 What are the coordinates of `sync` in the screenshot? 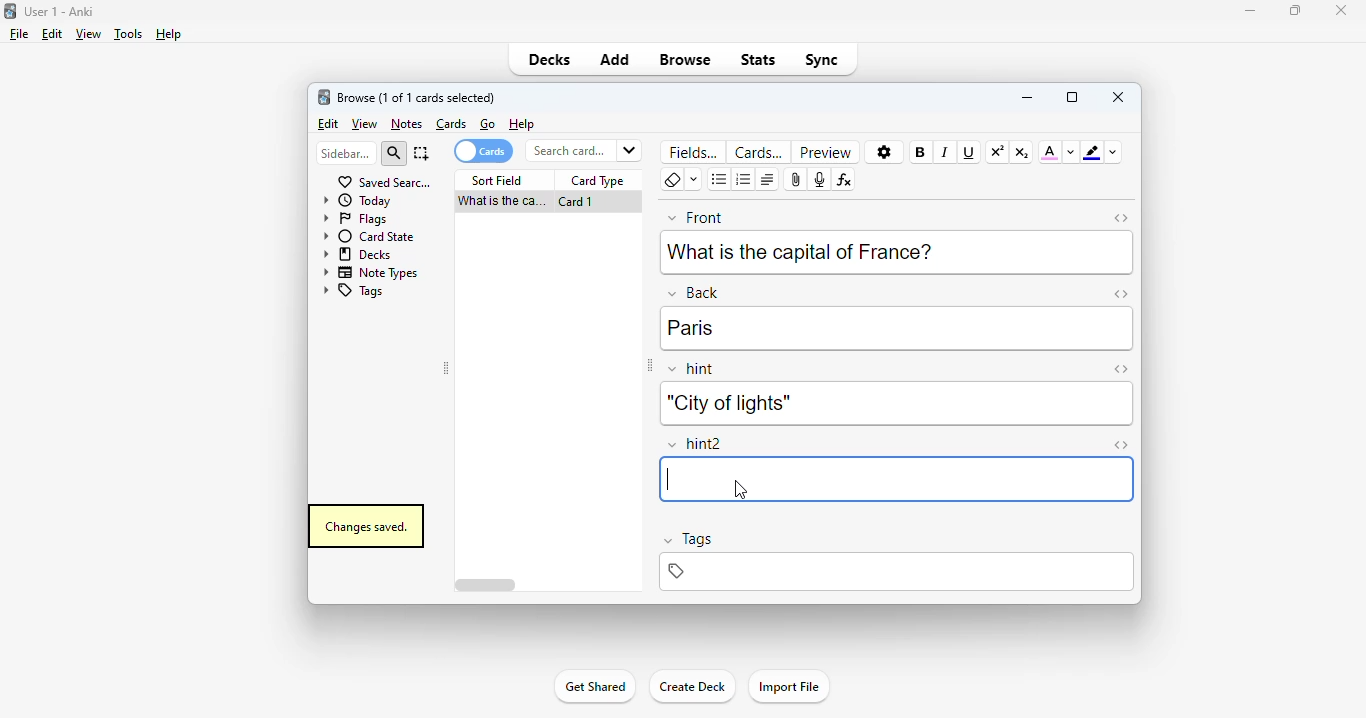 It's located at (820, 58).